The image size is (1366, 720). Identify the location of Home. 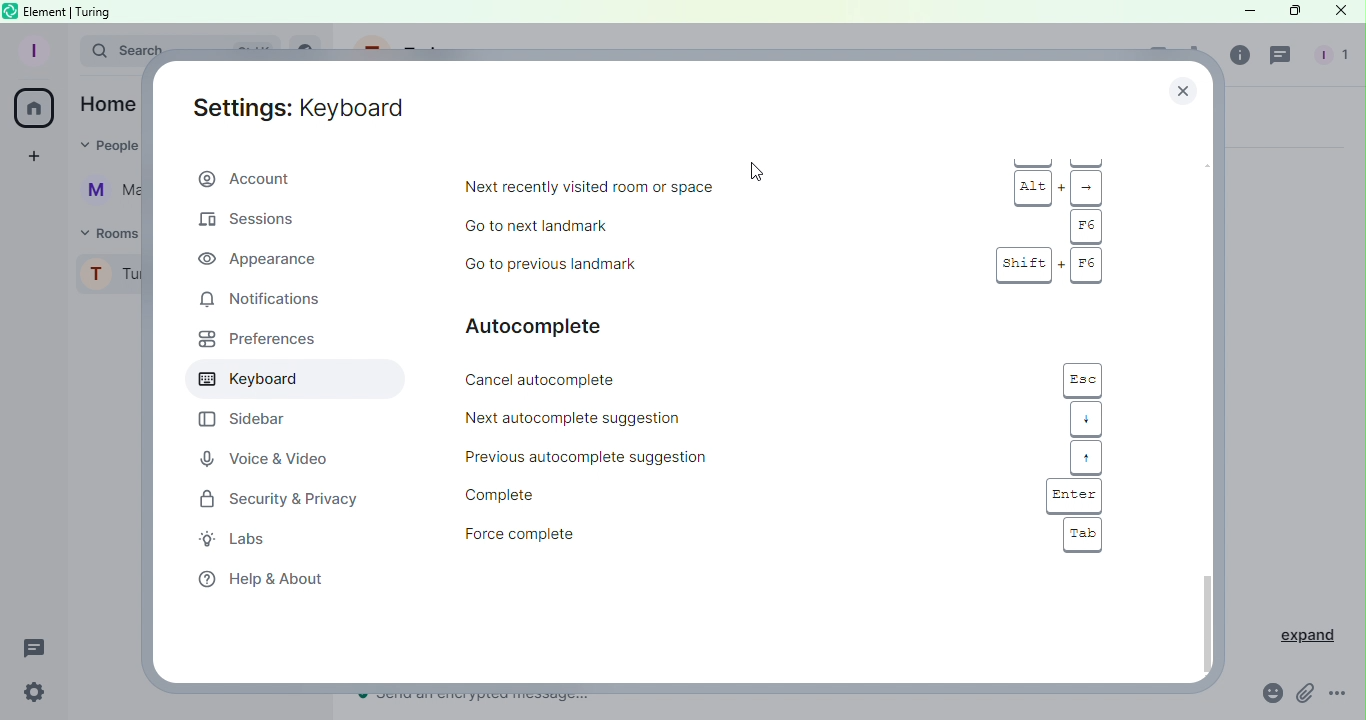
(105, 104).